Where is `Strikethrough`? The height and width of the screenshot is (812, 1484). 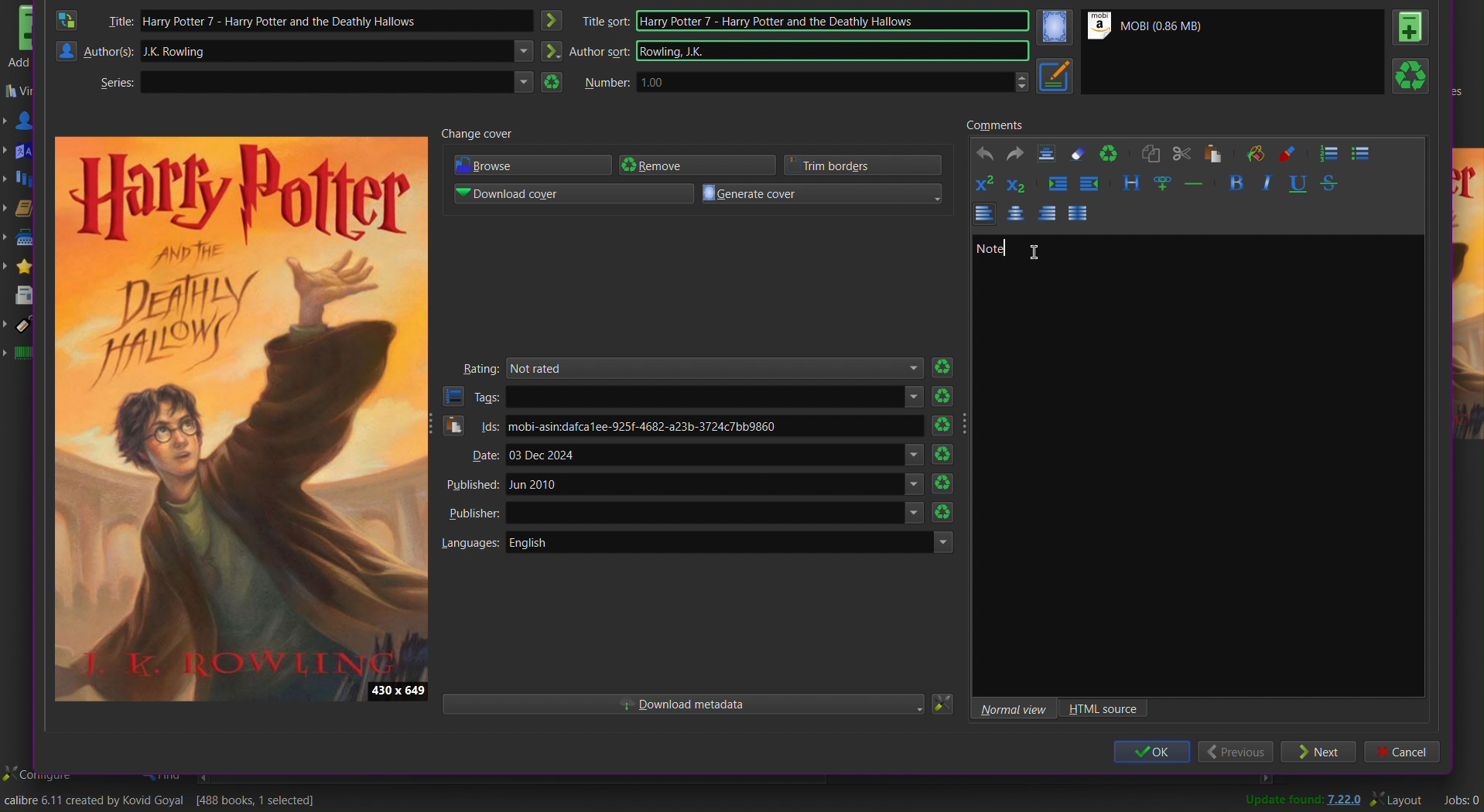 Strikethrough is located at coordinates (1329, 183).